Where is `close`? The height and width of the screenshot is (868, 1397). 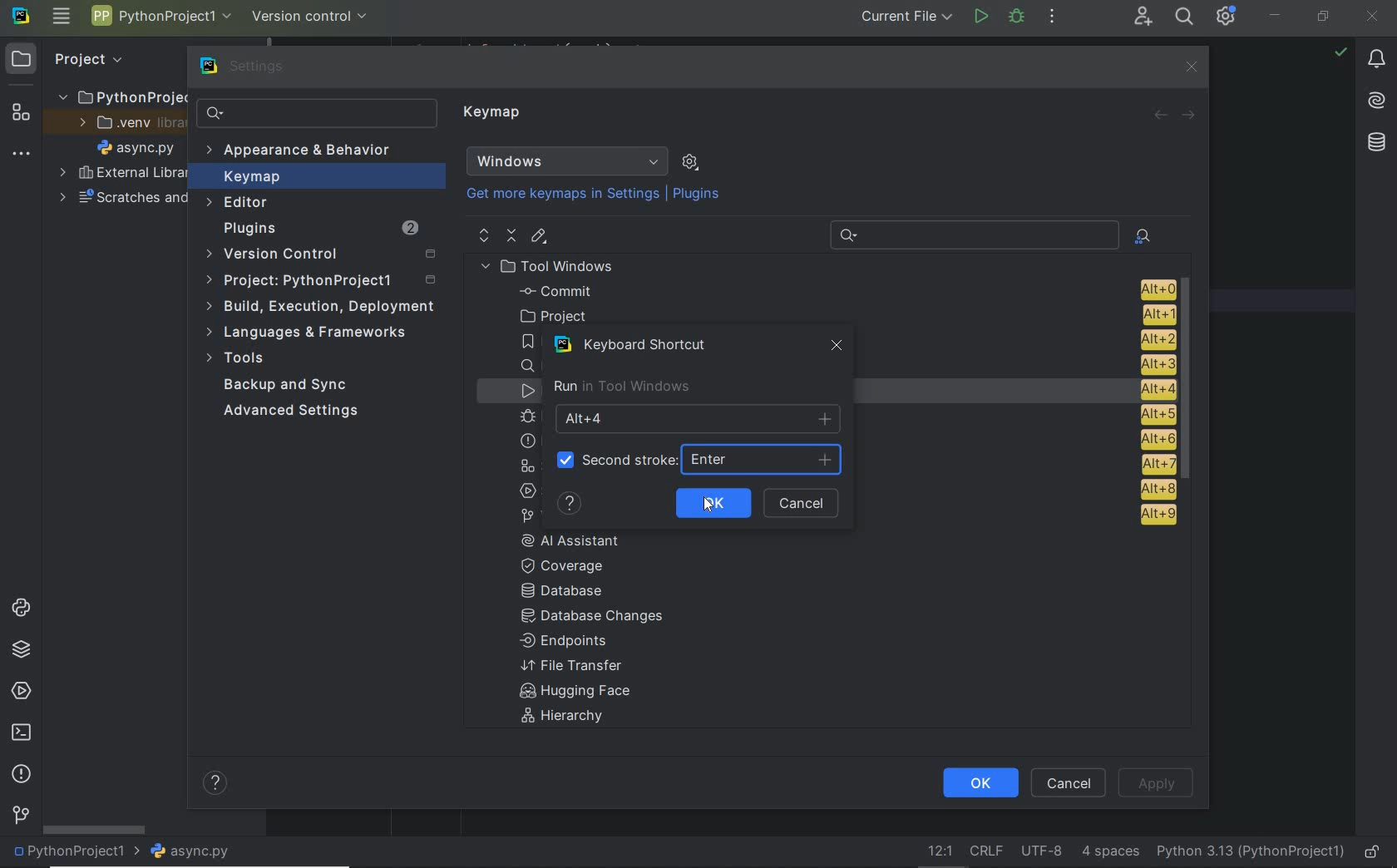
close is located at coordinates (838, 349).